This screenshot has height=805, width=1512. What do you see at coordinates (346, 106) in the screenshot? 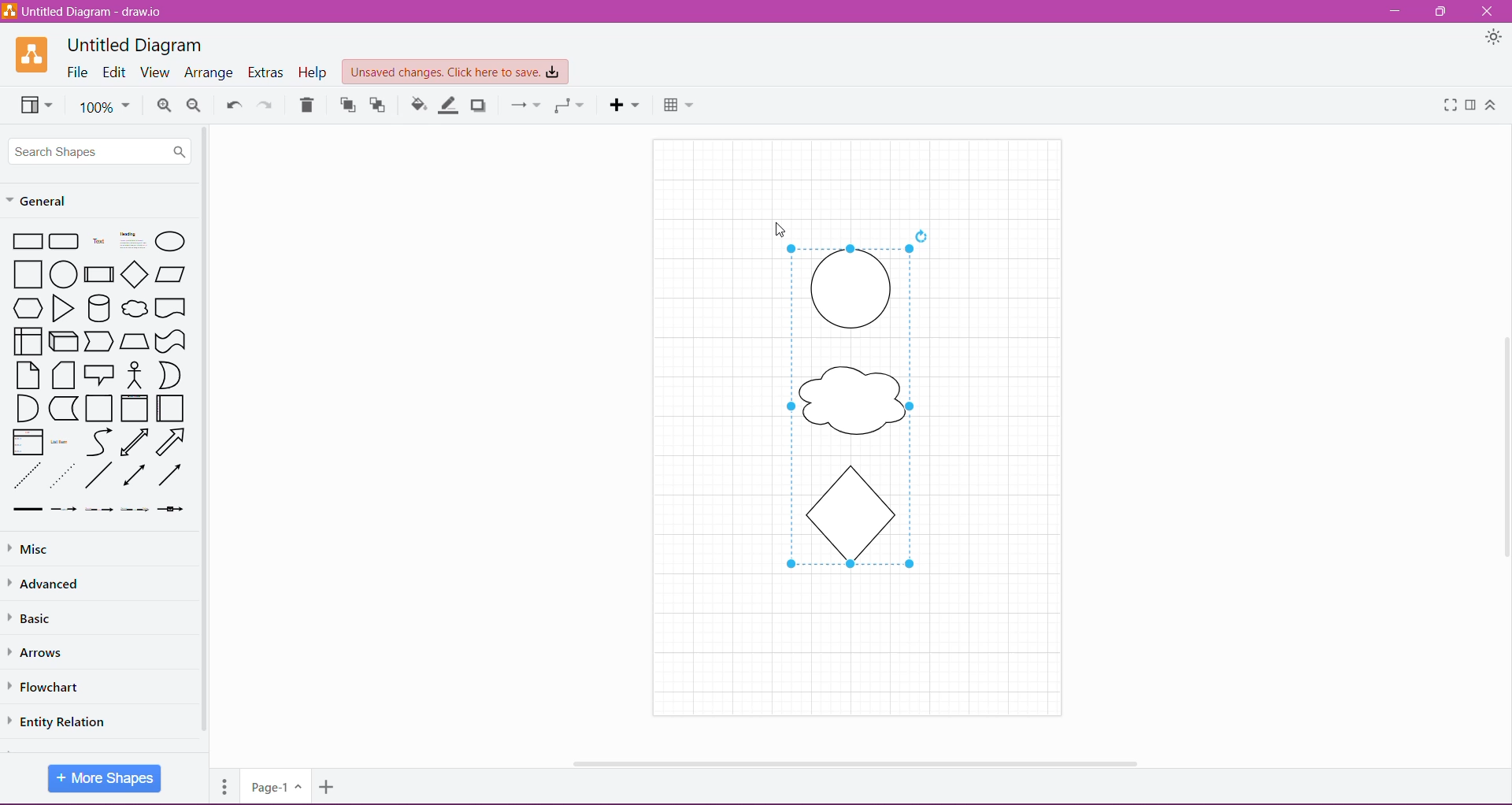
I see `To Front` at bounding box center [346, 106].